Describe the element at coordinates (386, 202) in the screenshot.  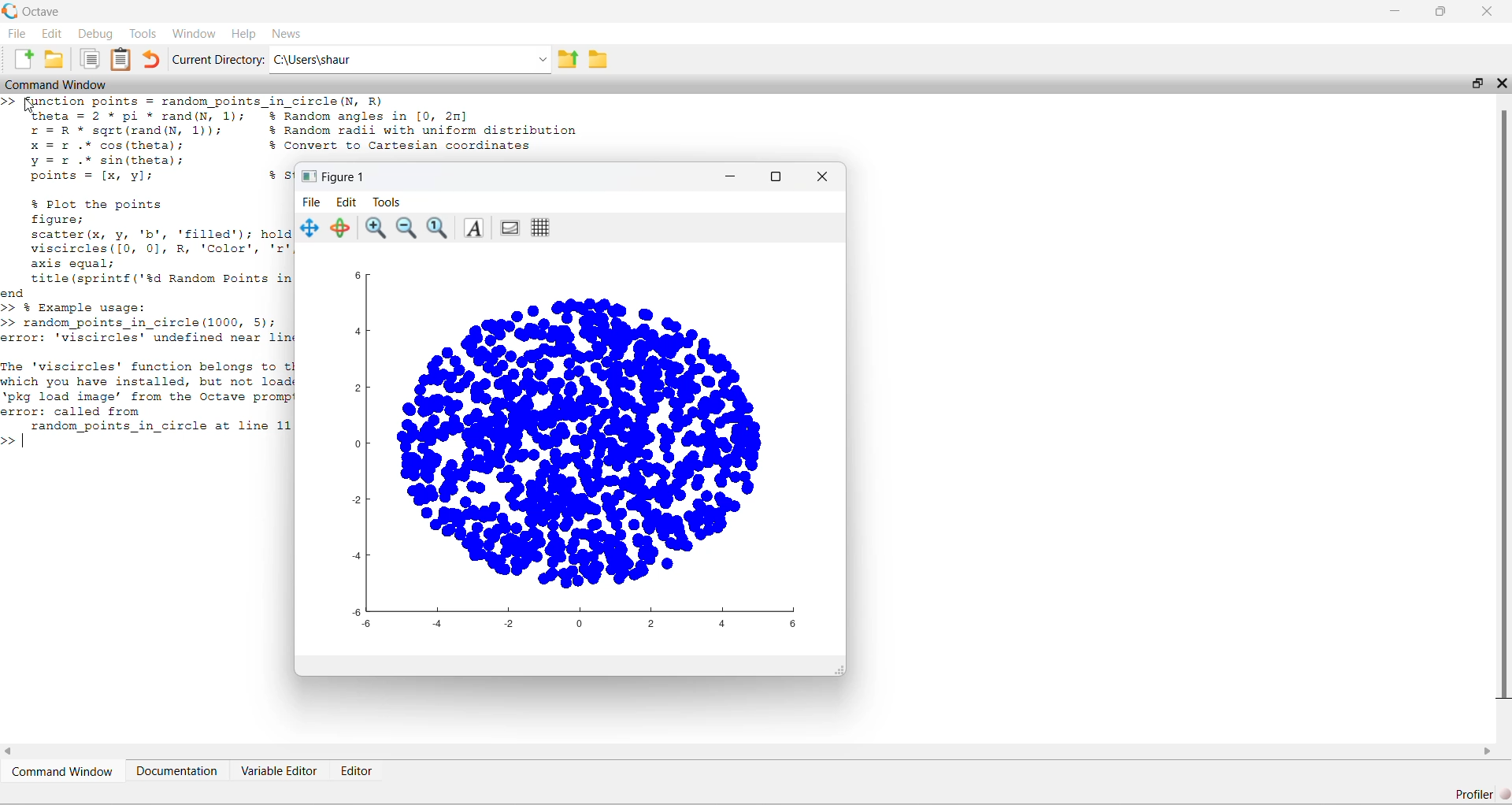
I see `Tools` at that location.